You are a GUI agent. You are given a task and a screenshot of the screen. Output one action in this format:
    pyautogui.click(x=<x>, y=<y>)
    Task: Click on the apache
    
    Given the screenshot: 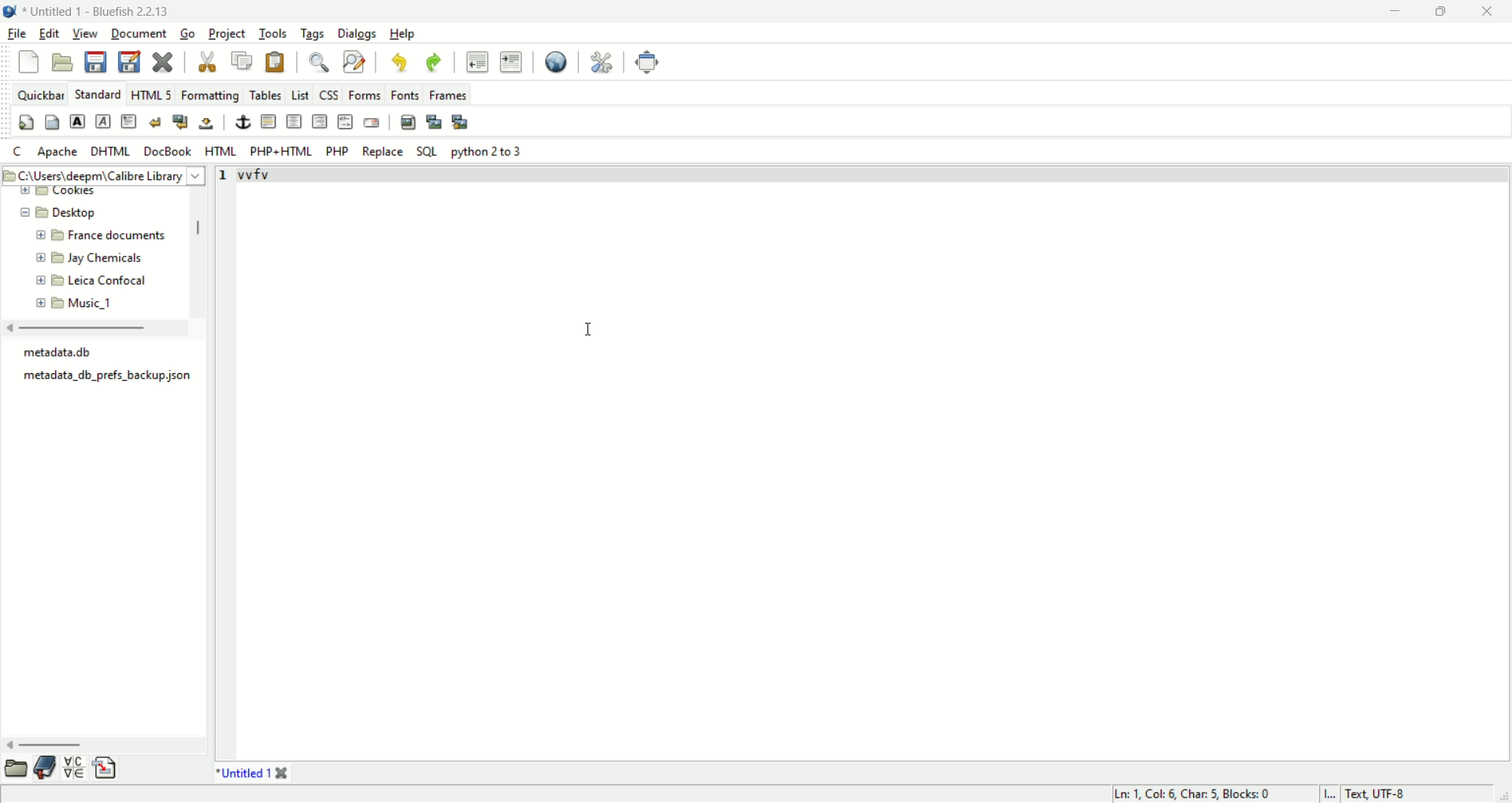 What is the action you would take?
    pyautogui.click(x=58, y=152)
    